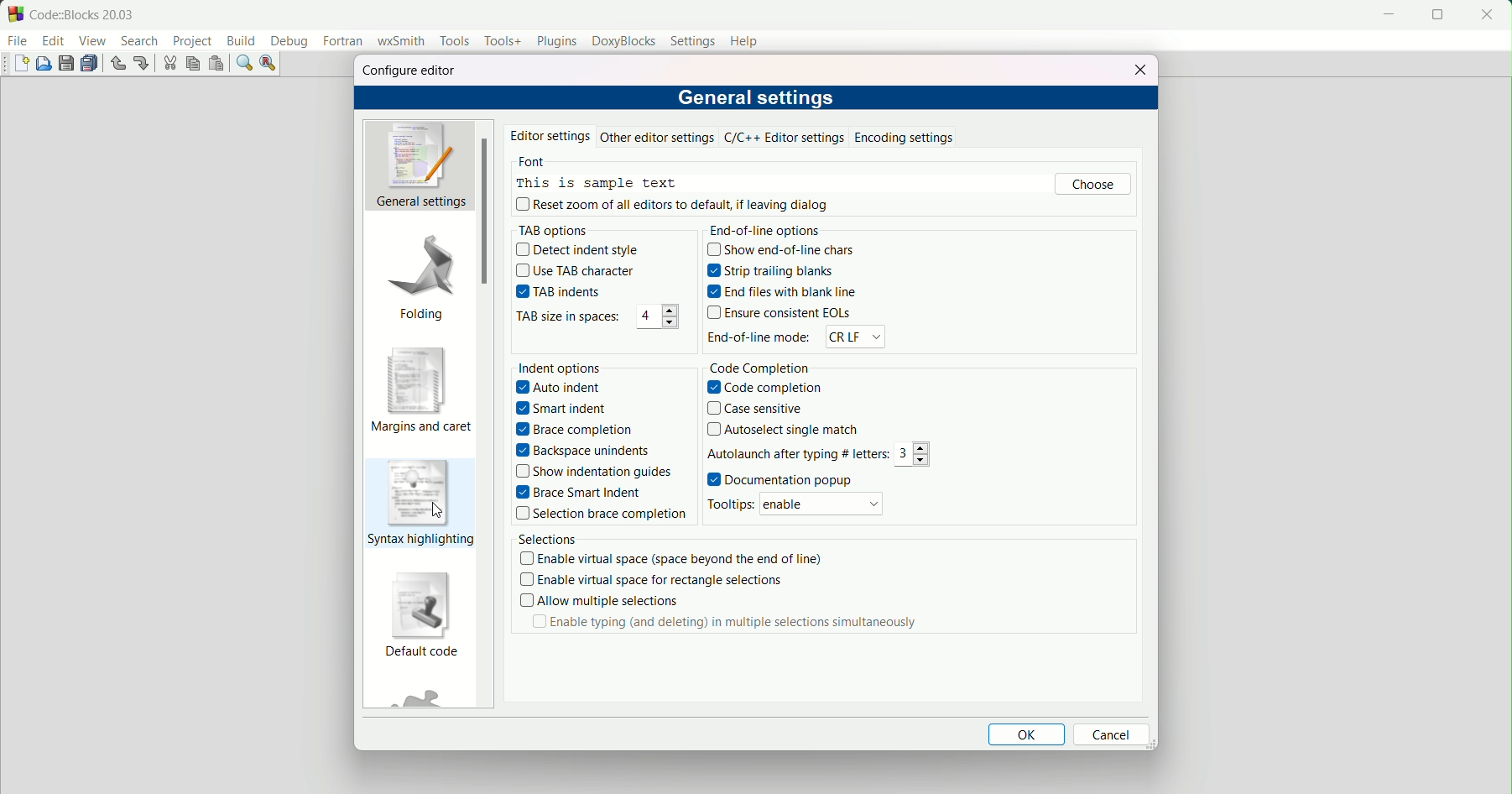 Image resolution: width=1512 pixels, height=794 pixels. Describe the element at coordinates (755, 410) in the screenshot. I see `case sensitive` at that location.